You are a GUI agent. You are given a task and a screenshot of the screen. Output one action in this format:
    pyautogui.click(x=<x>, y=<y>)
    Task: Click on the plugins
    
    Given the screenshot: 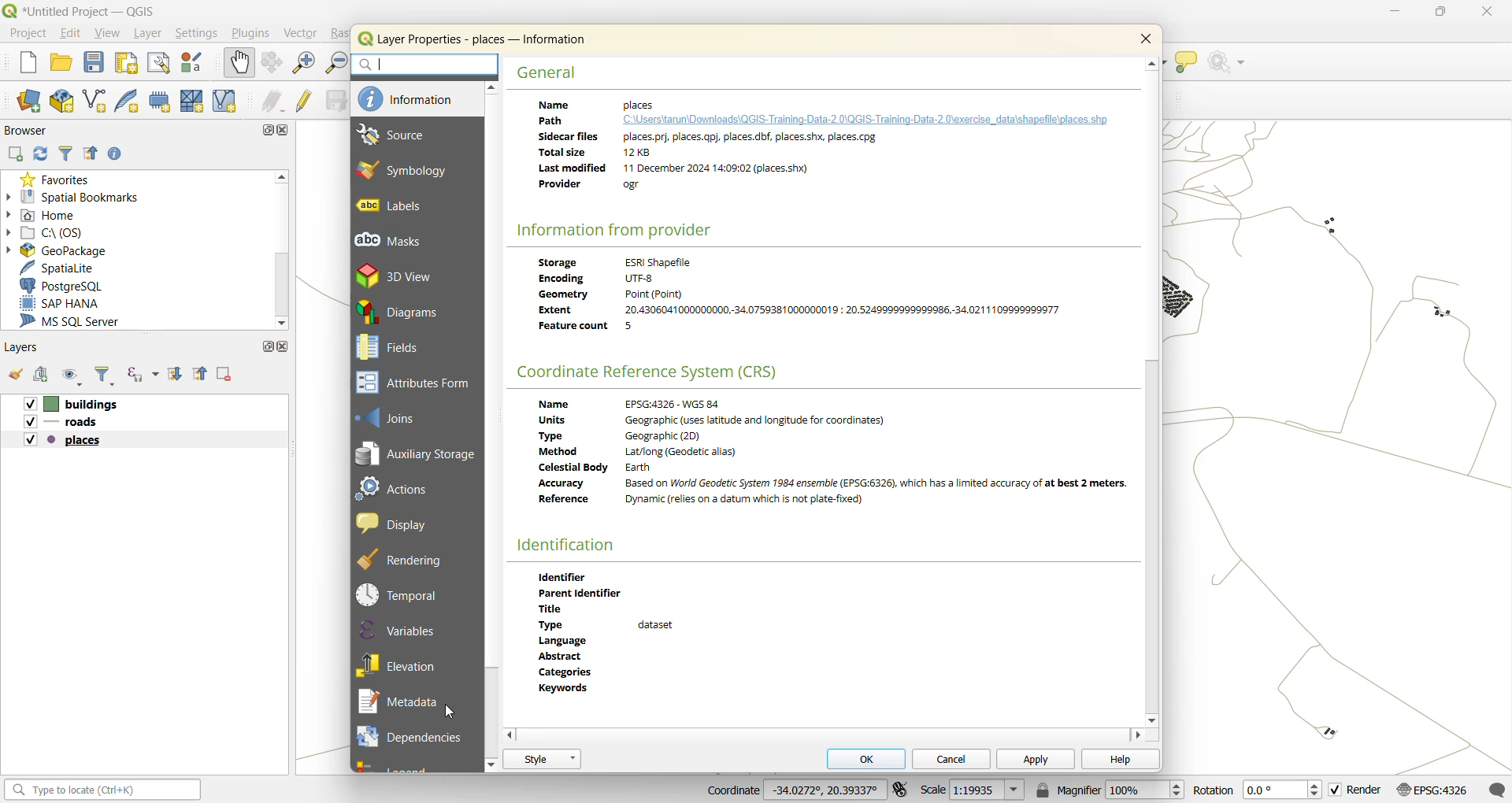 What is the action you would take?
    pyautogui.click(x=254, y=32)
    